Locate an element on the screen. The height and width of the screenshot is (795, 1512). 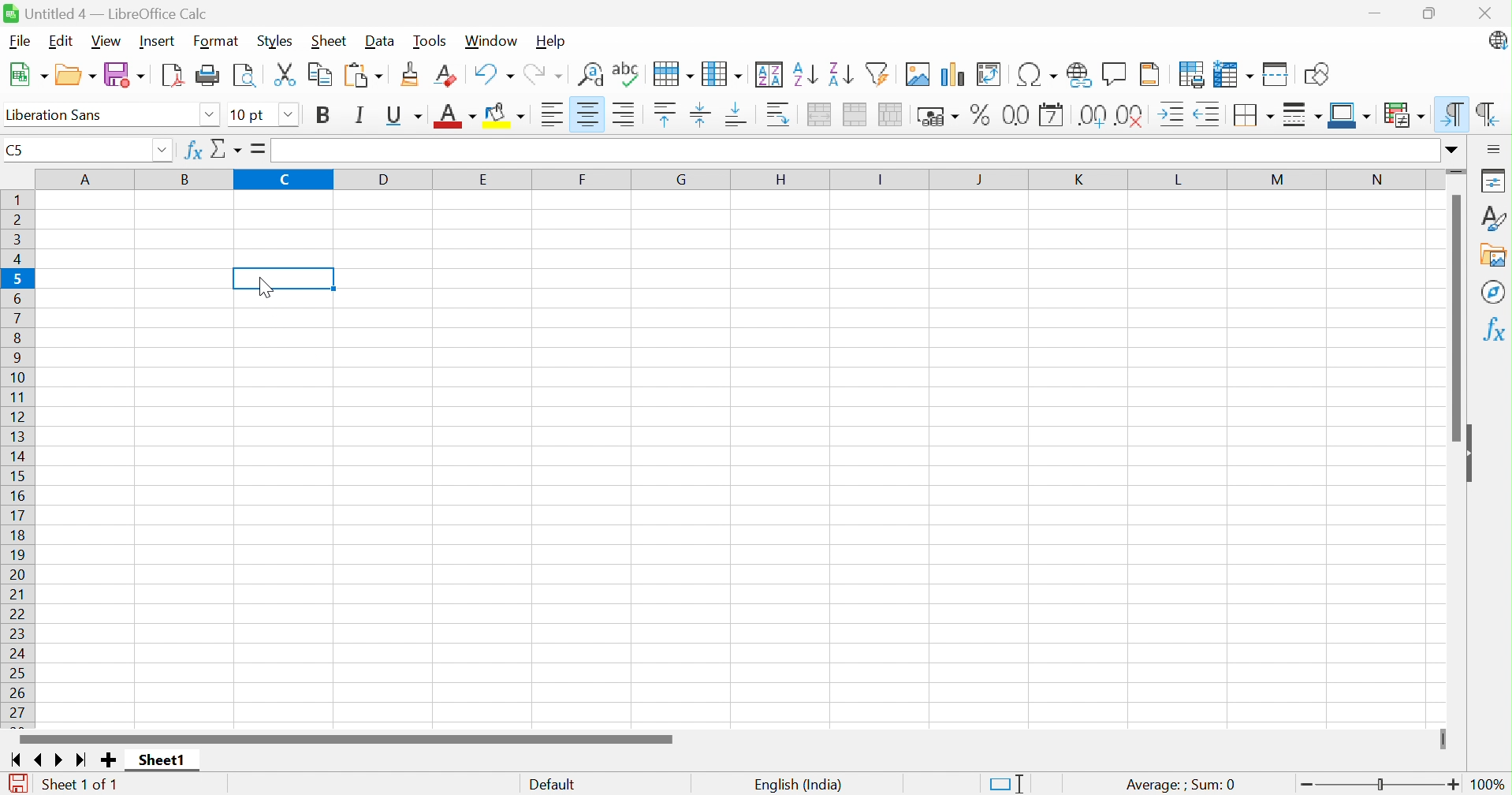
100% is located at coordinates (1488, 784).